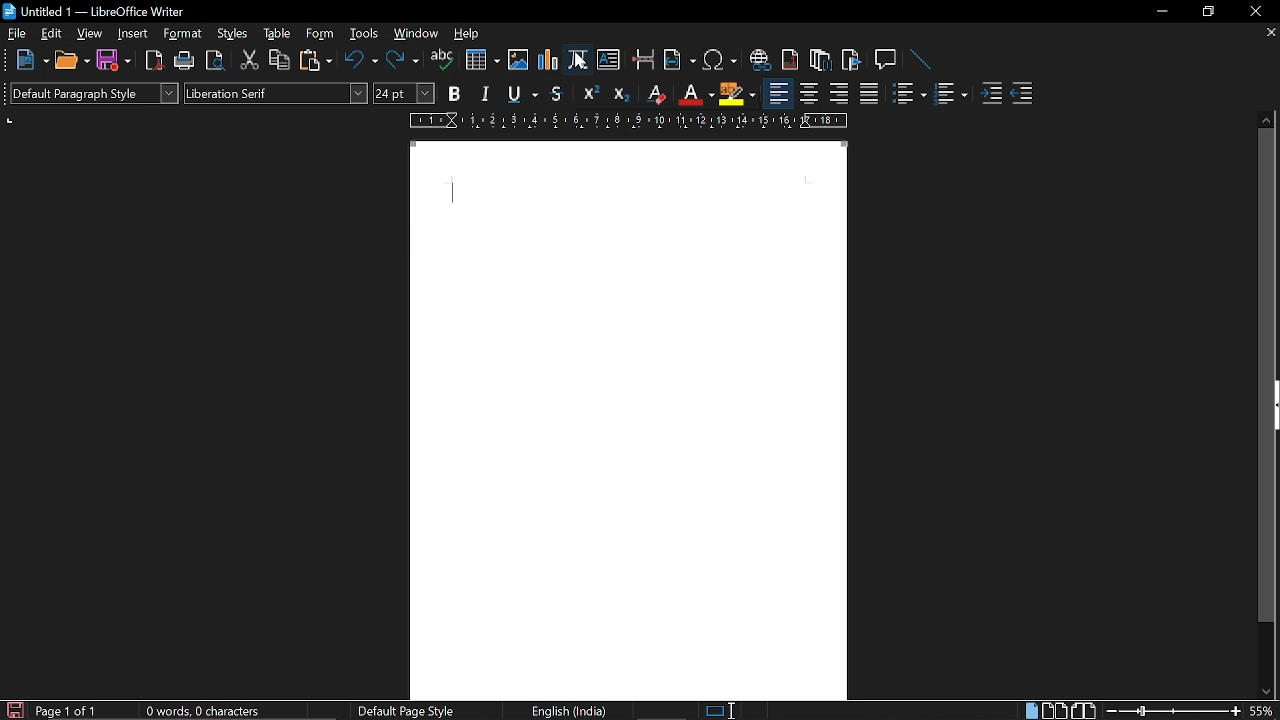 The width and height of the screenshot is (1280, 720). What do you see at coordinates (1055, 710) in the screenshot?
I see `multiple page view` at bounding box center [1055, 710].